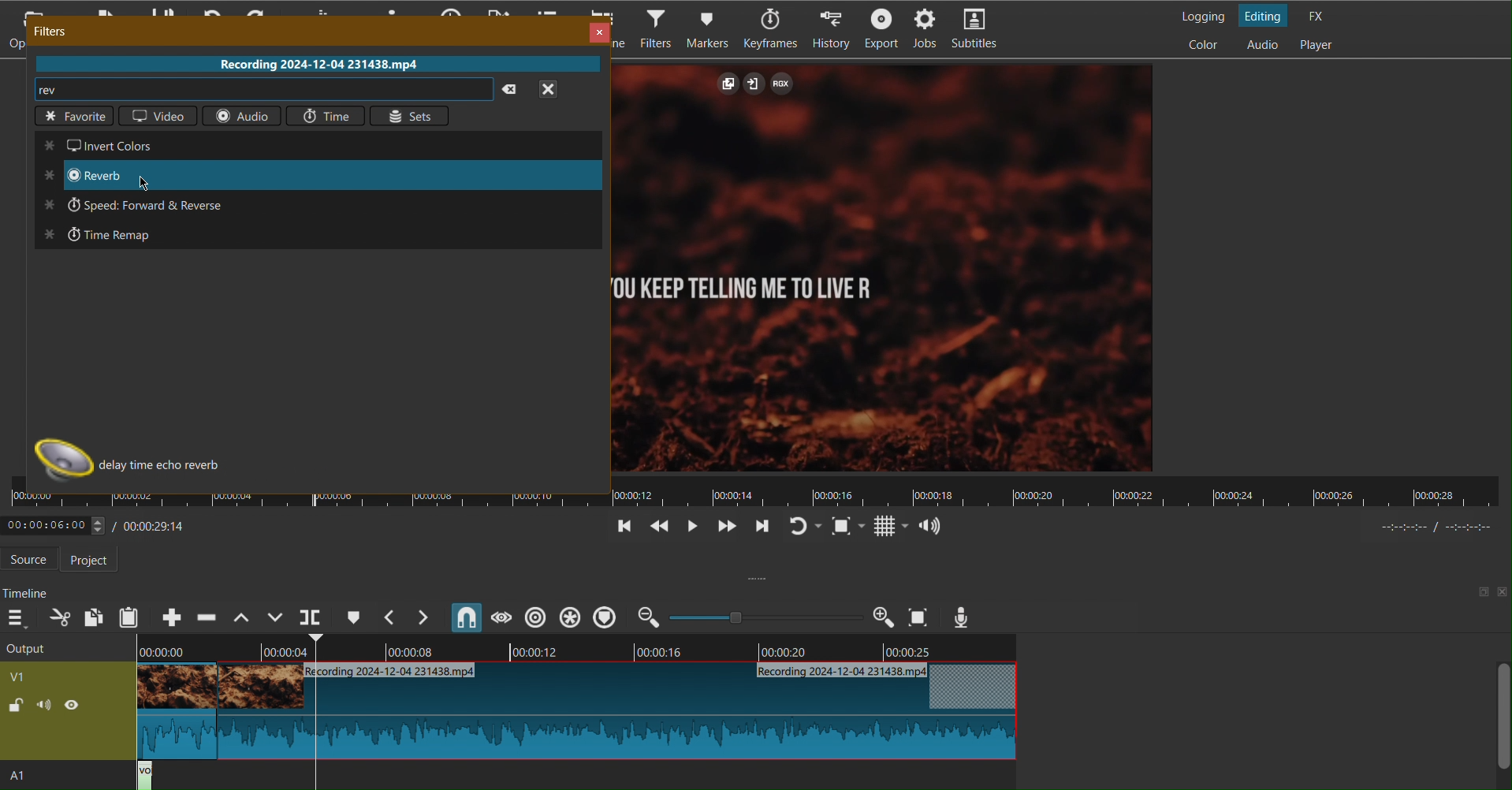  I want to click on Play, so click(690, 527).